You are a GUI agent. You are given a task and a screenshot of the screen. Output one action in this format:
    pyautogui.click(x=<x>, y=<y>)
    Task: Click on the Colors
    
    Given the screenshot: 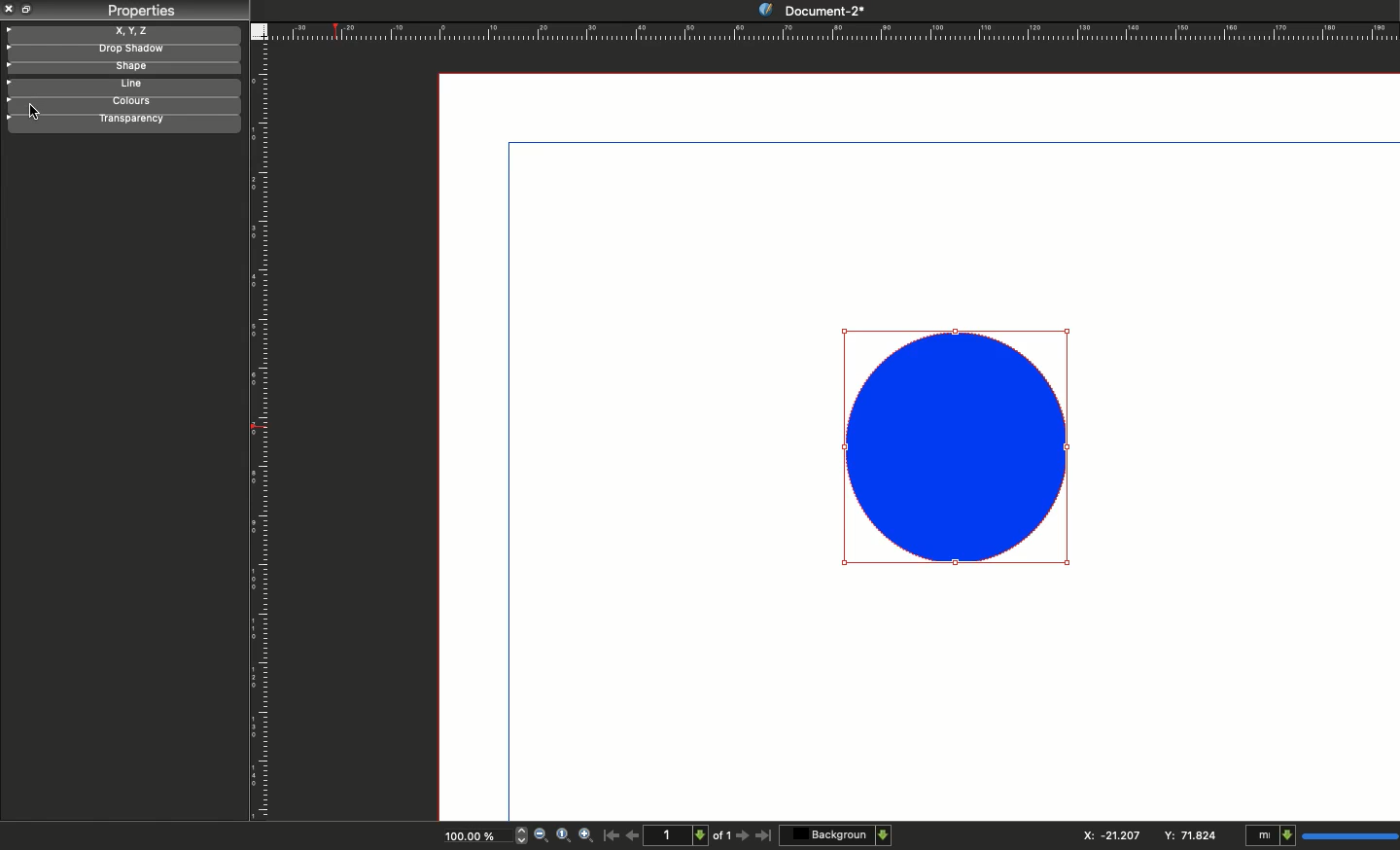 What is the action you would take?
    pyautogui.click(x=122, y=103)
    